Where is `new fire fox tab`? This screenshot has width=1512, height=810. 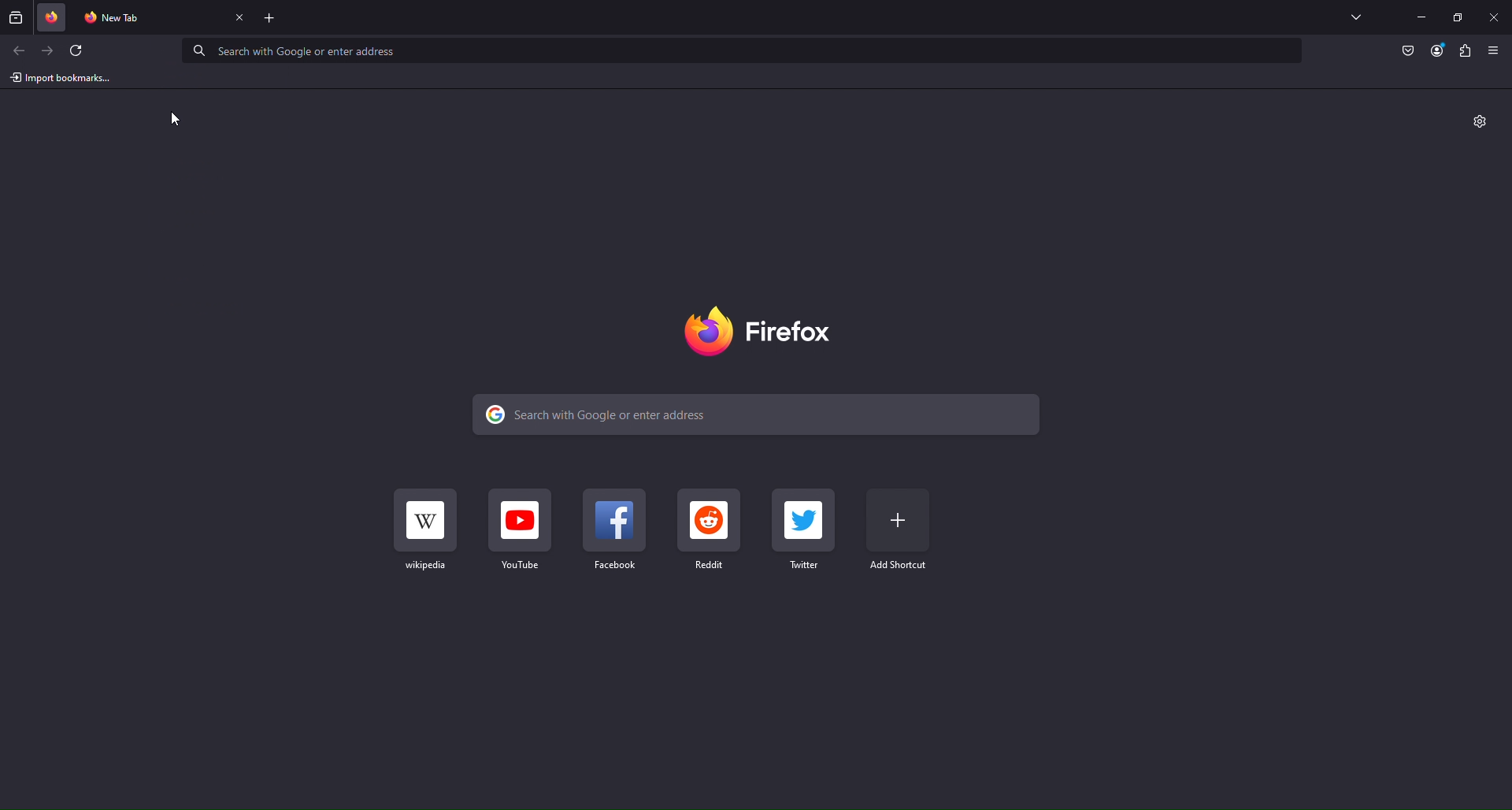 new fire fox tab is located at coordinates (149, 18).